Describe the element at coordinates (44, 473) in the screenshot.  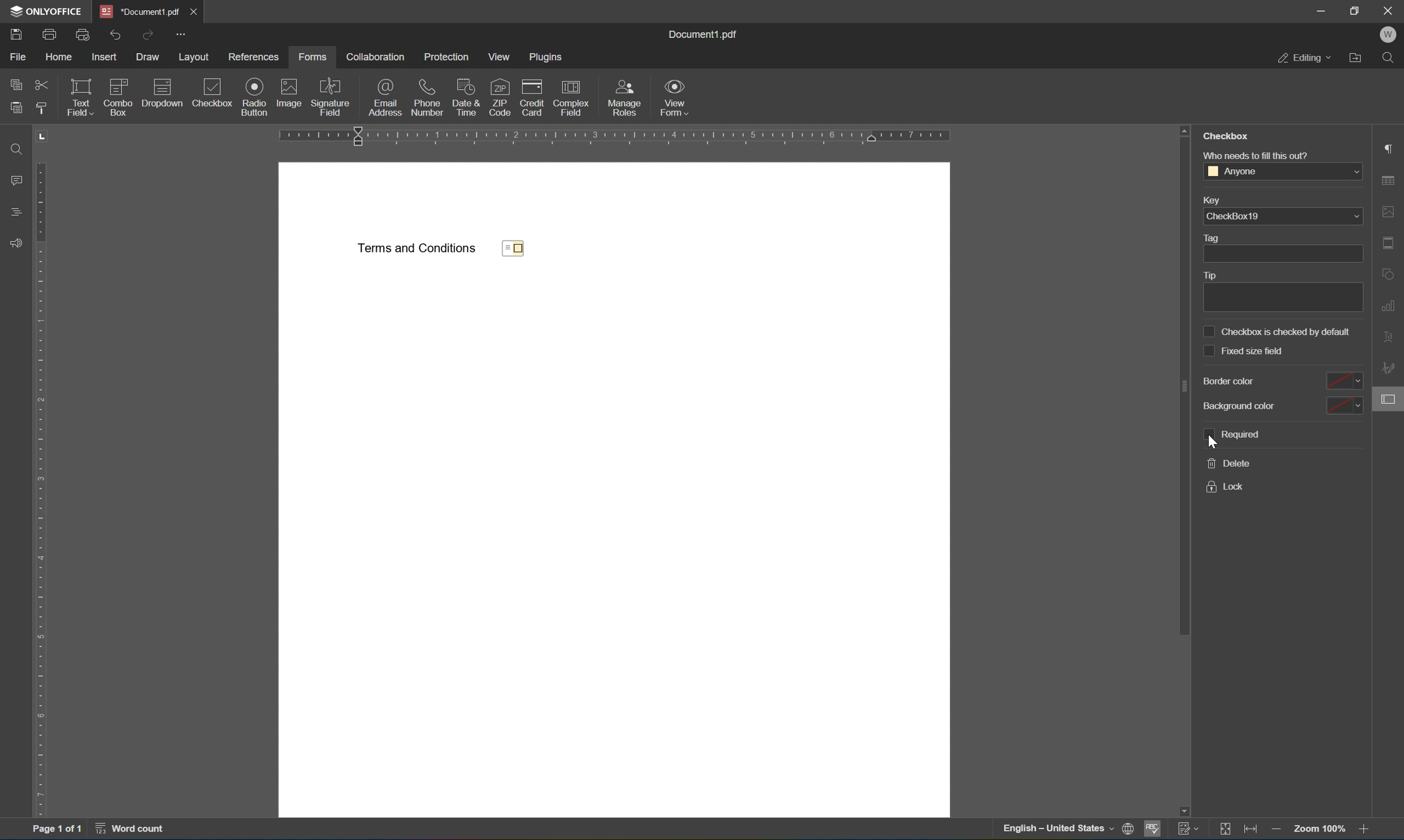
I see `ruler` at that location.